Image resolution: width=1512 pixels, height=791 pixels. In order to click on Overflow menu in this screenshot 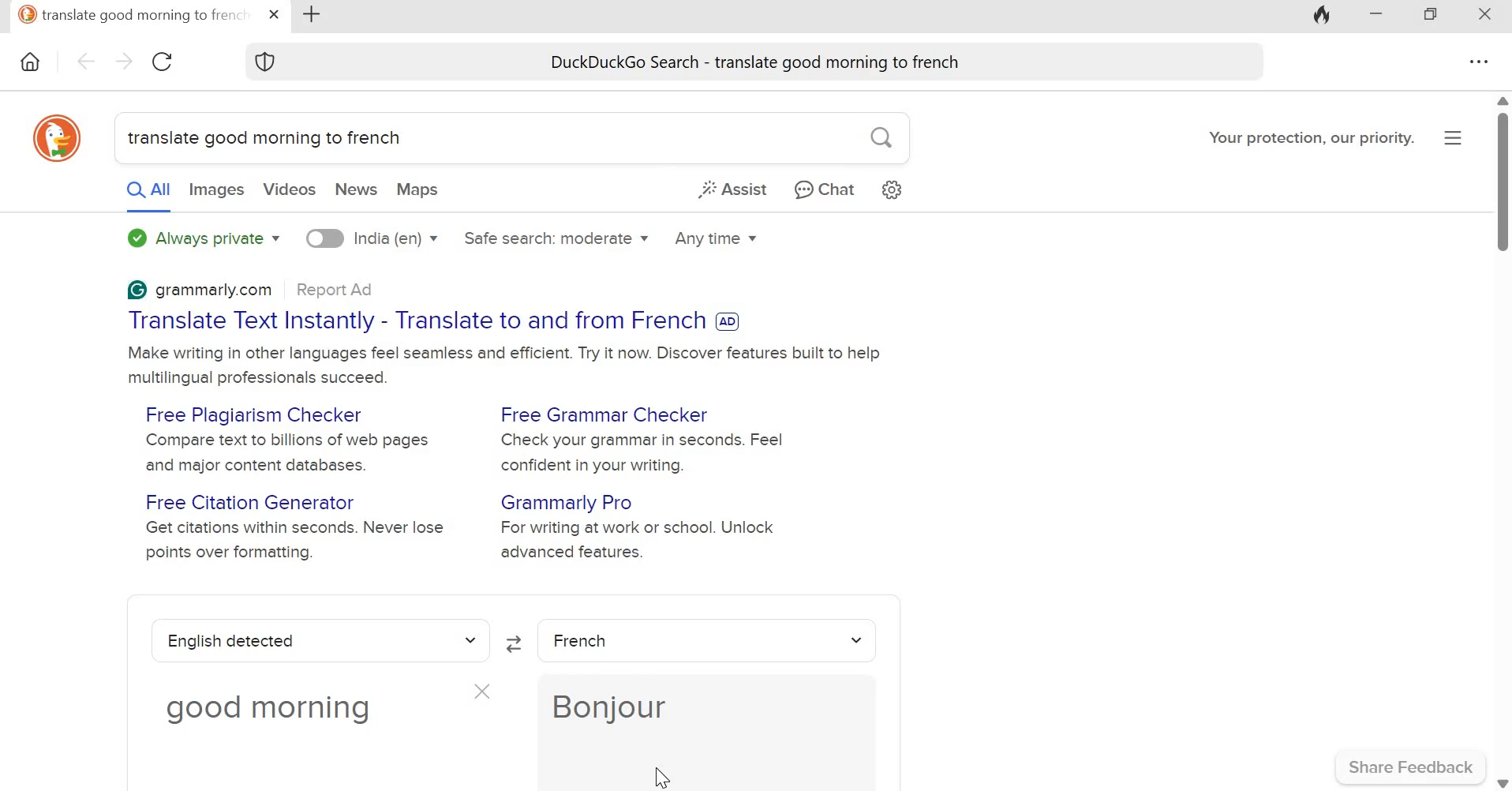, I will do `click(1474, 59)`.